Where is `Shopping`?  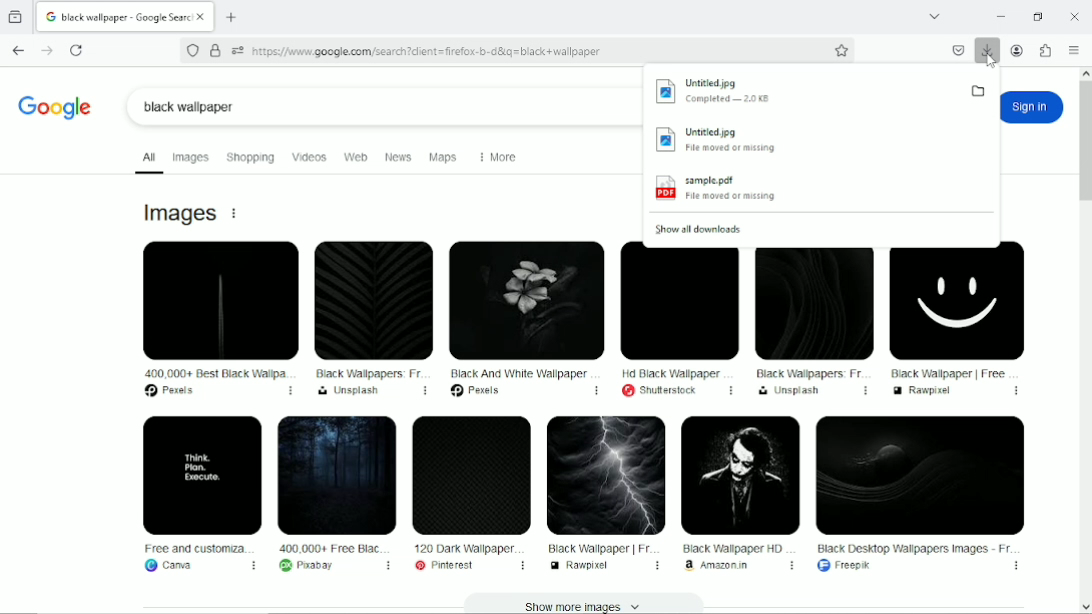
Shopping is located at coordinates (249, 156).